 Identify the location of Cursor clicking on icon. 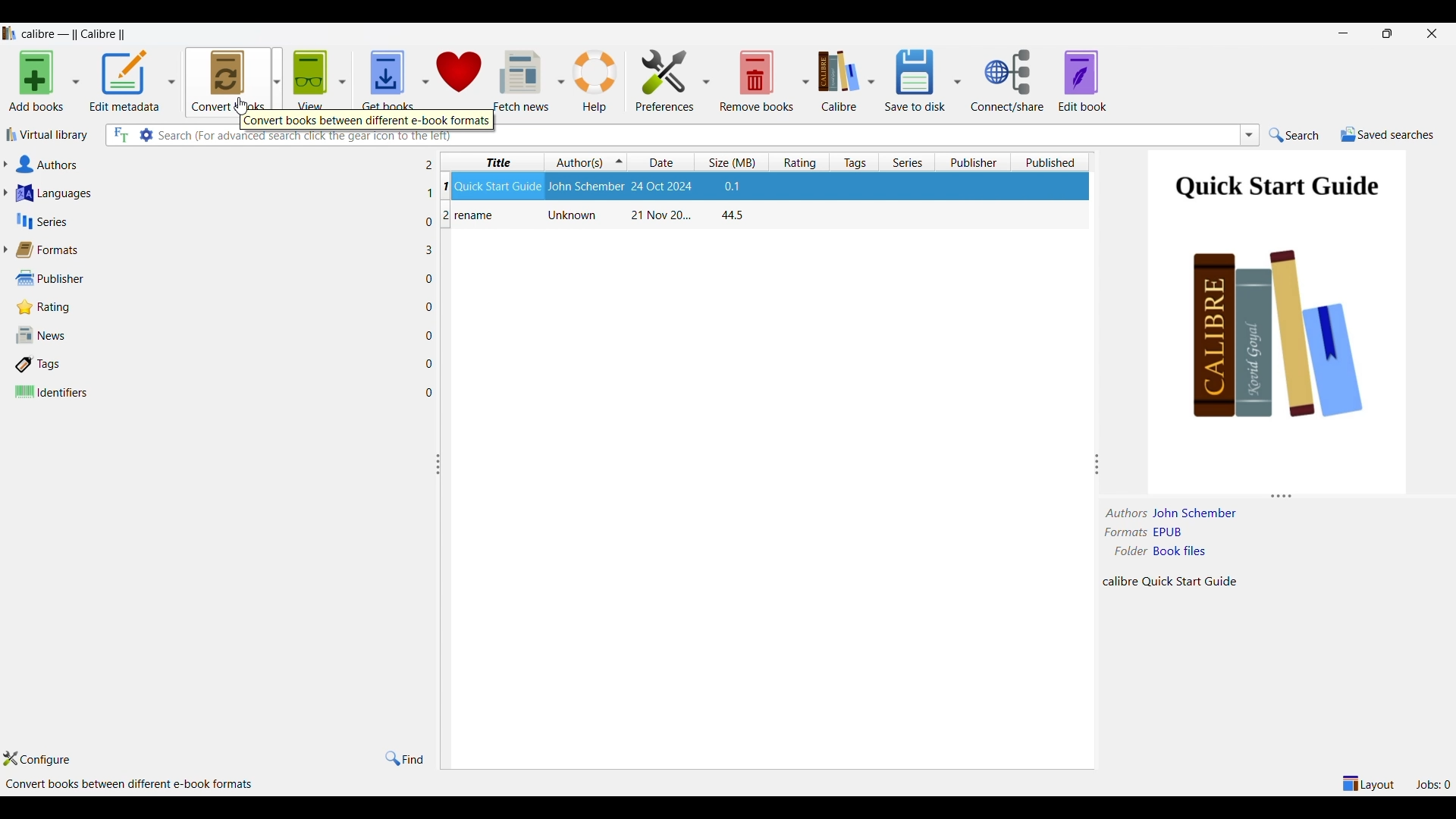
(242, 105).